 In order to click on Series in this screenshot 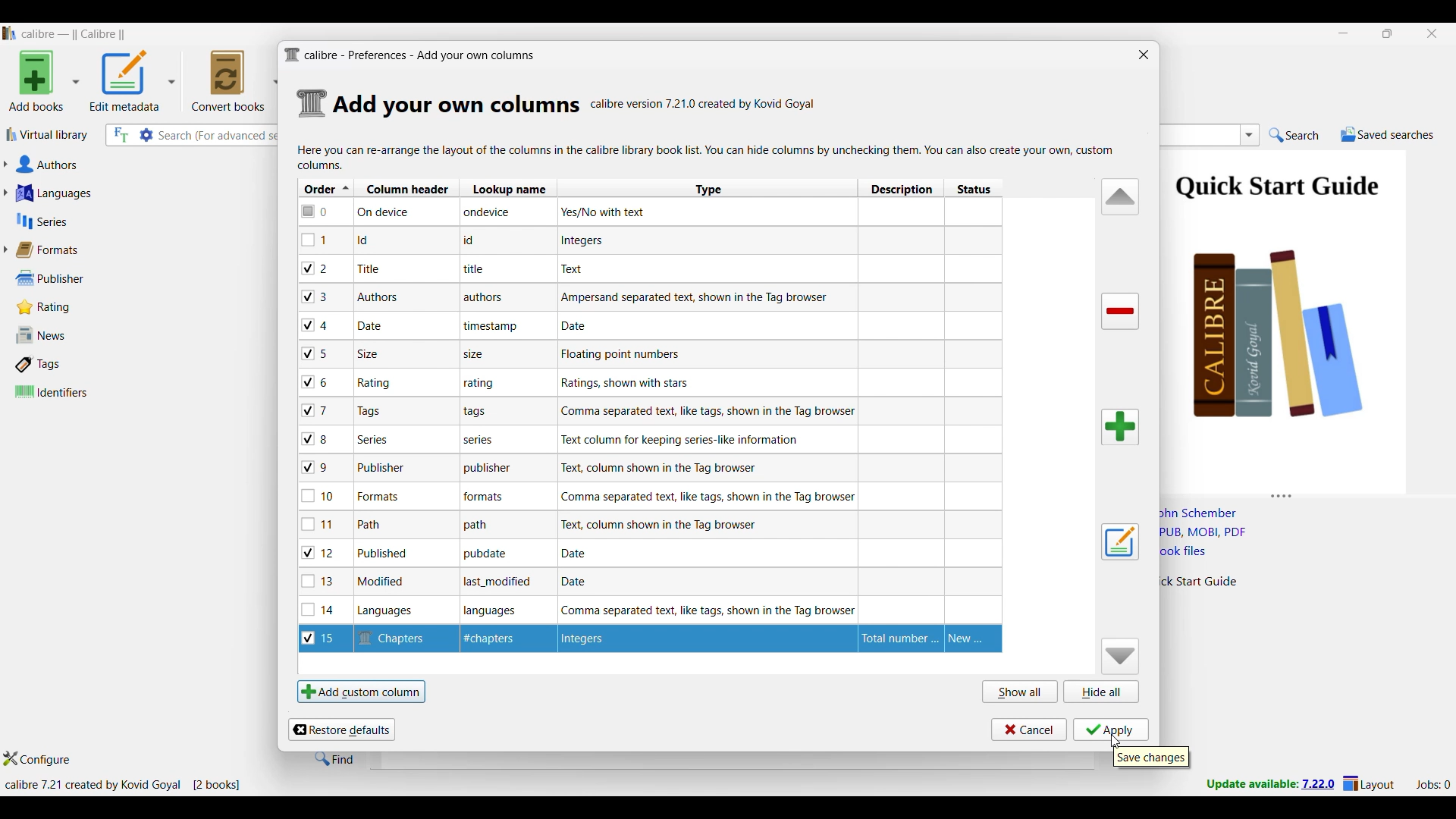, I will do `click(114, 221)`.